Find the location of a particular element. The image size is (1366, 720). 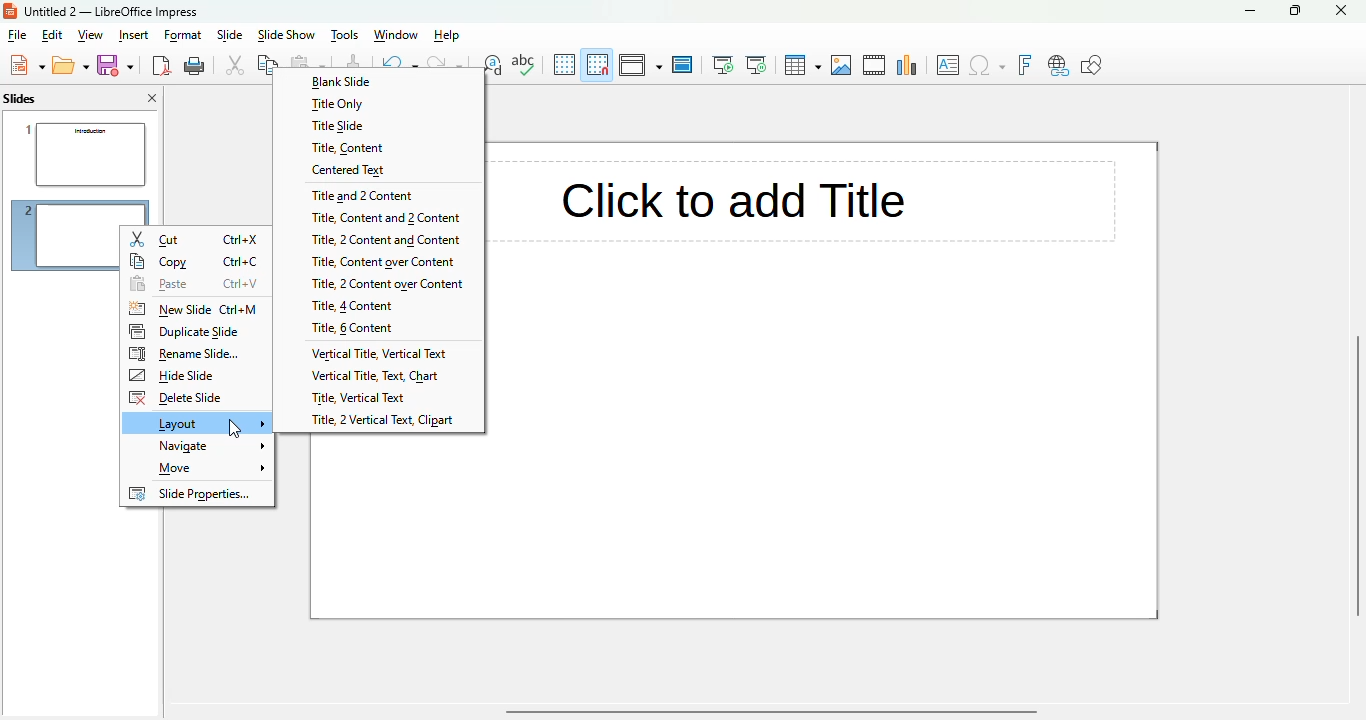

new is located at coordinates (27, 65).